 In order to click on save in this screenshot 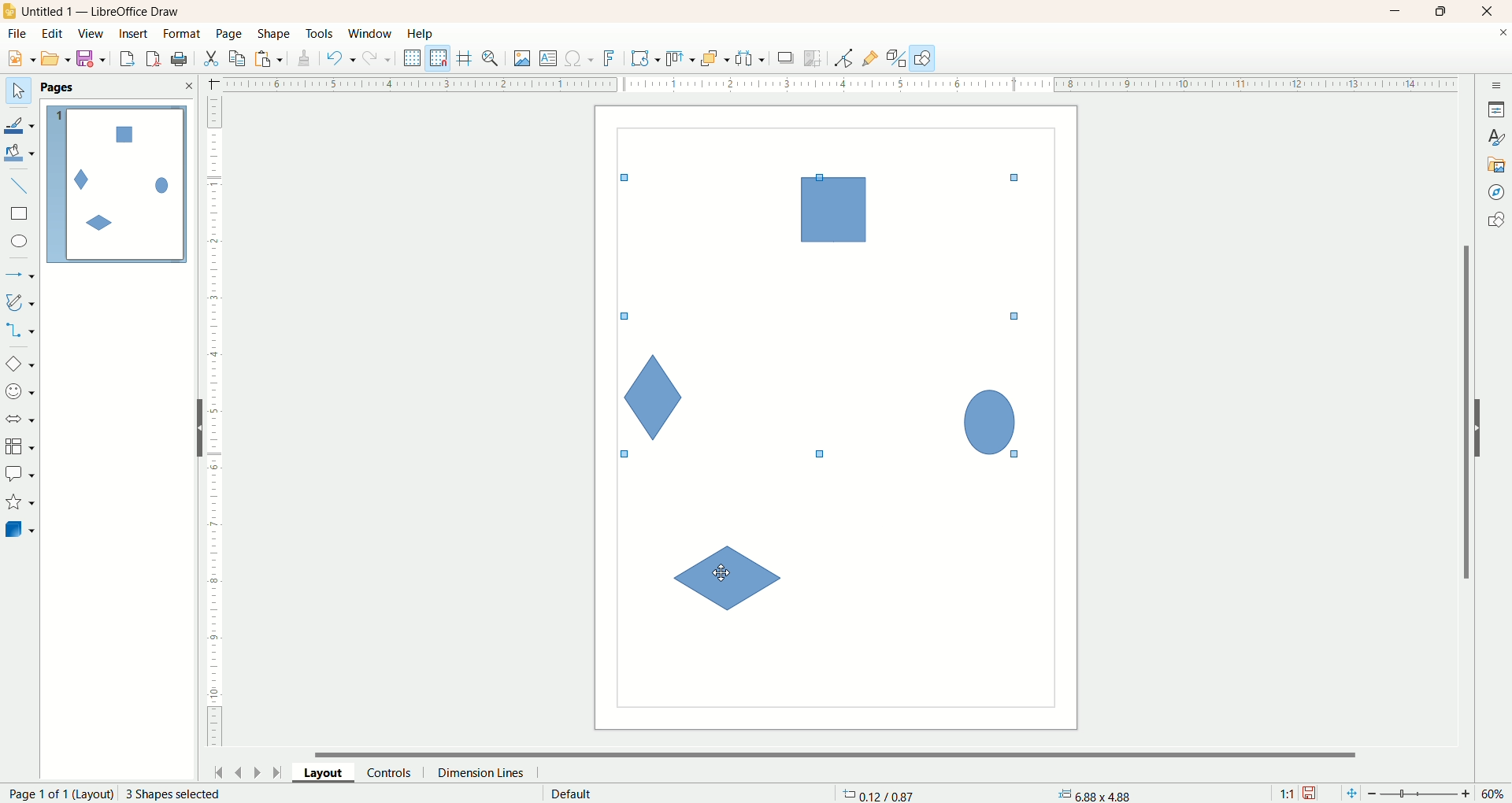, I will do `click(1311, 794)`.